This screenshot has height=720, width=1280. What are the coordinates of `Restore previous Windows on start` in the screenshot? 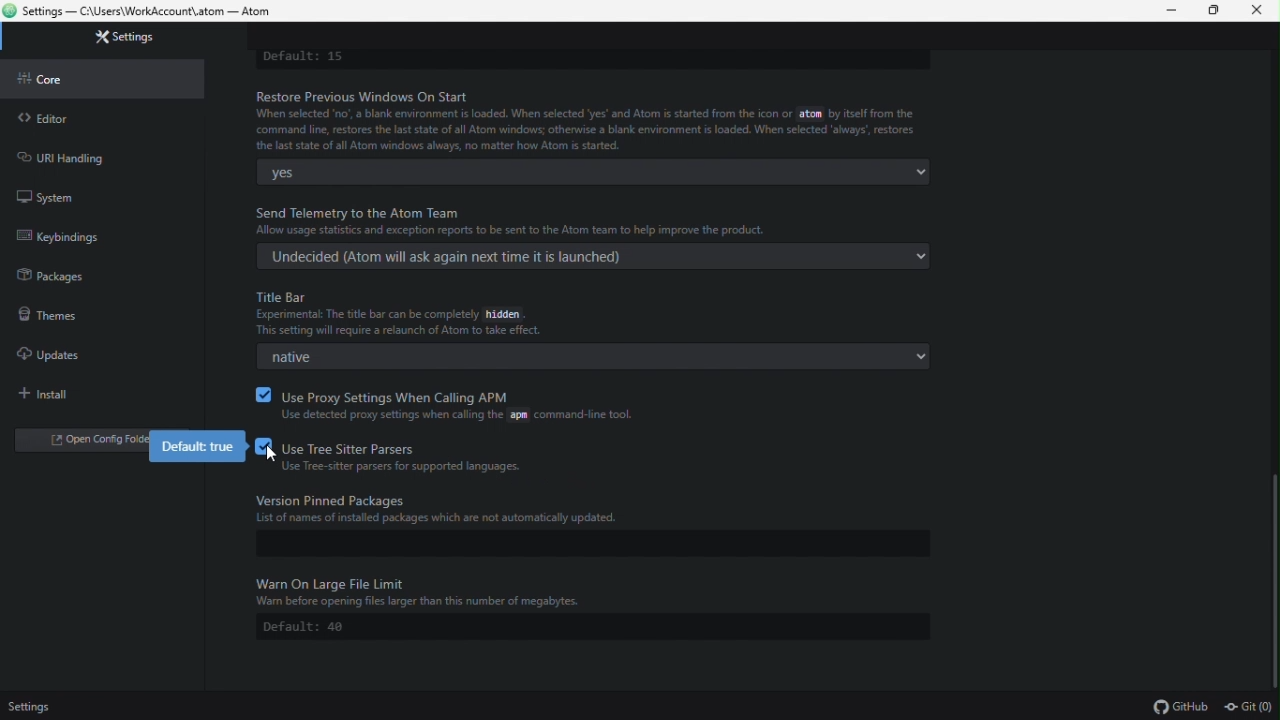 It's located at (593, 120).